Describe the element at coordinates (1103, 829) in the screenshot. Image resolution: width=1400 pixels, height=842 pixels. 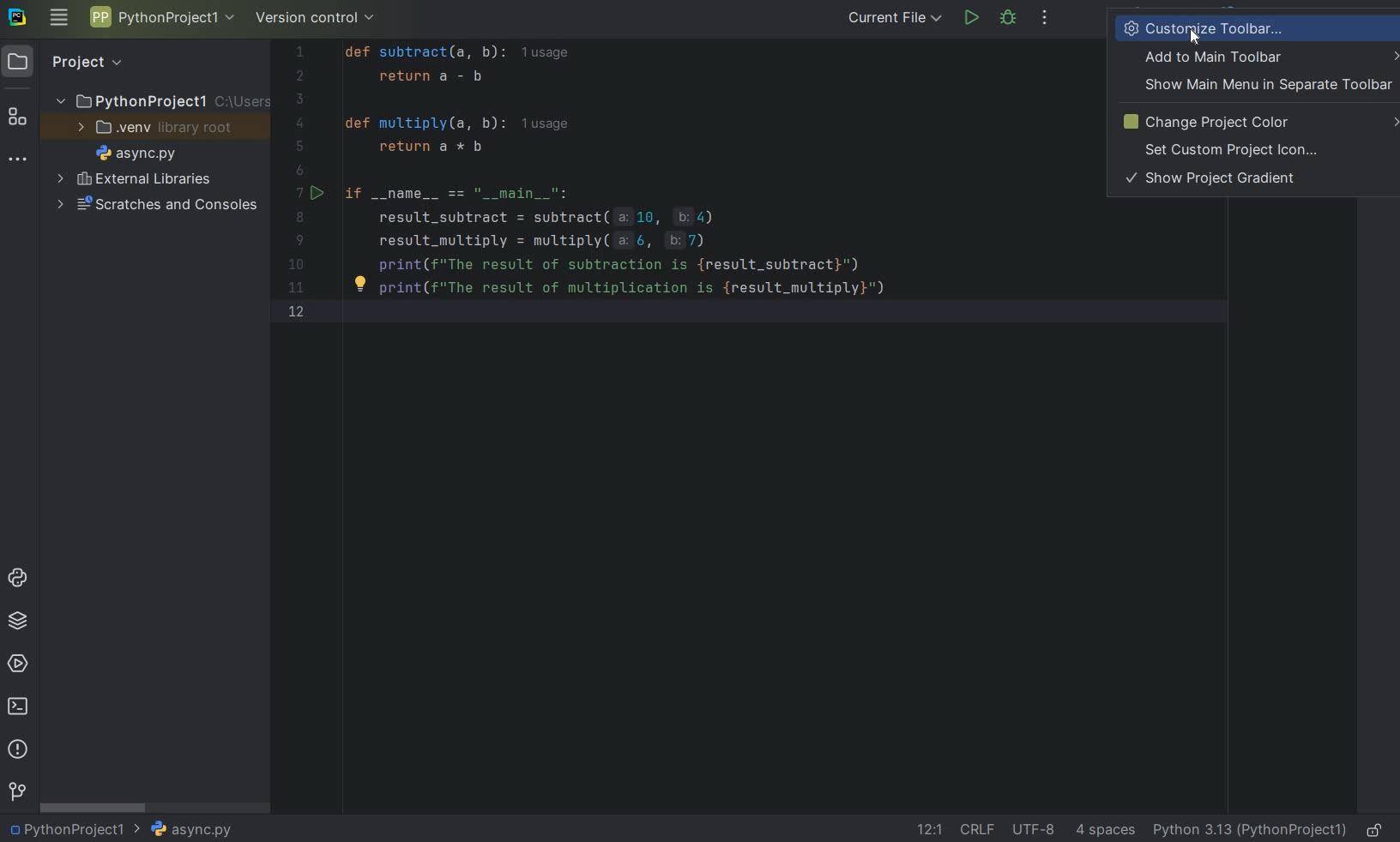
I see `INDENT` at that location.